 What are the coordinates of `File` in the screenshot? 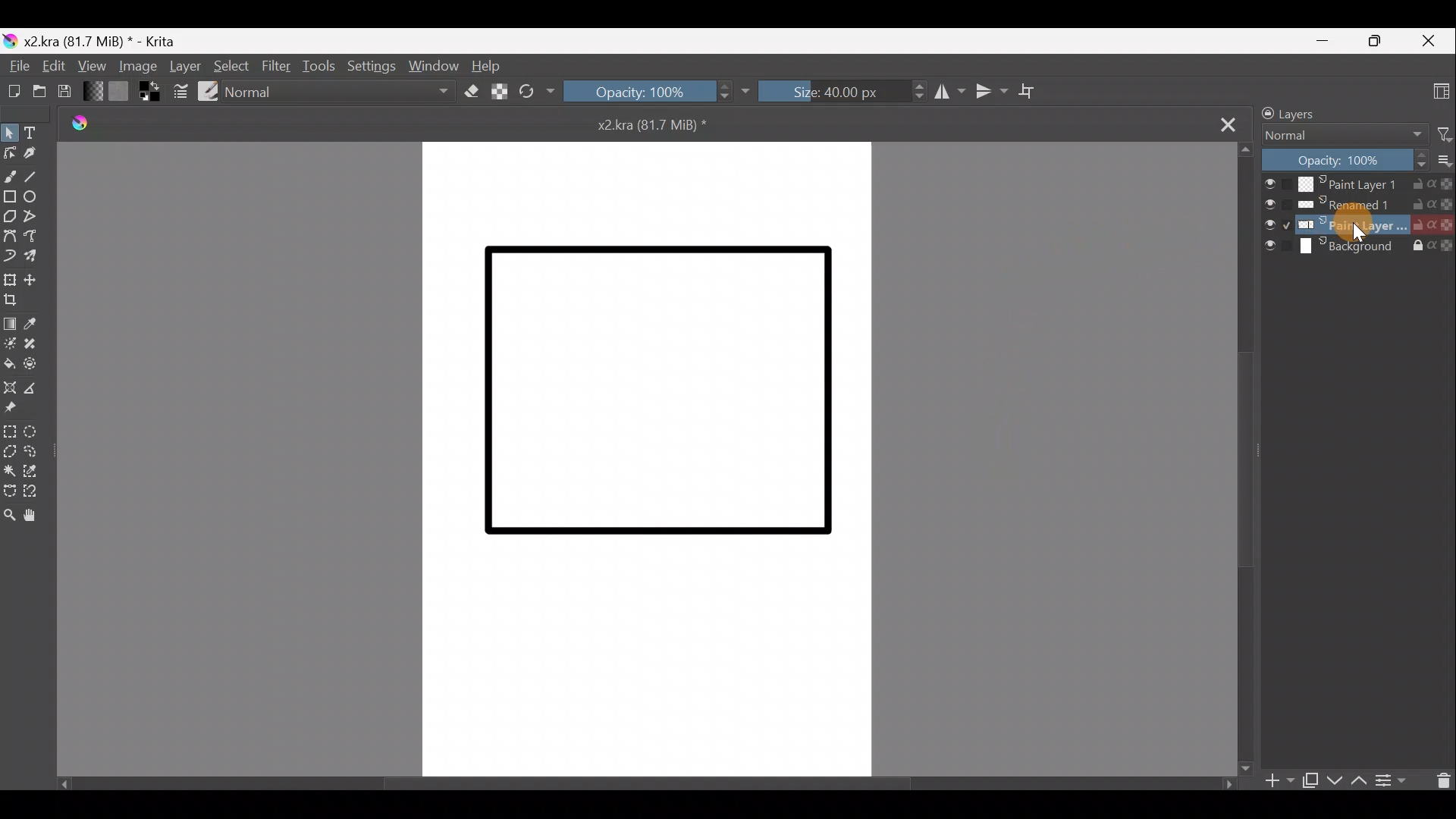 It's located at (17, 65).